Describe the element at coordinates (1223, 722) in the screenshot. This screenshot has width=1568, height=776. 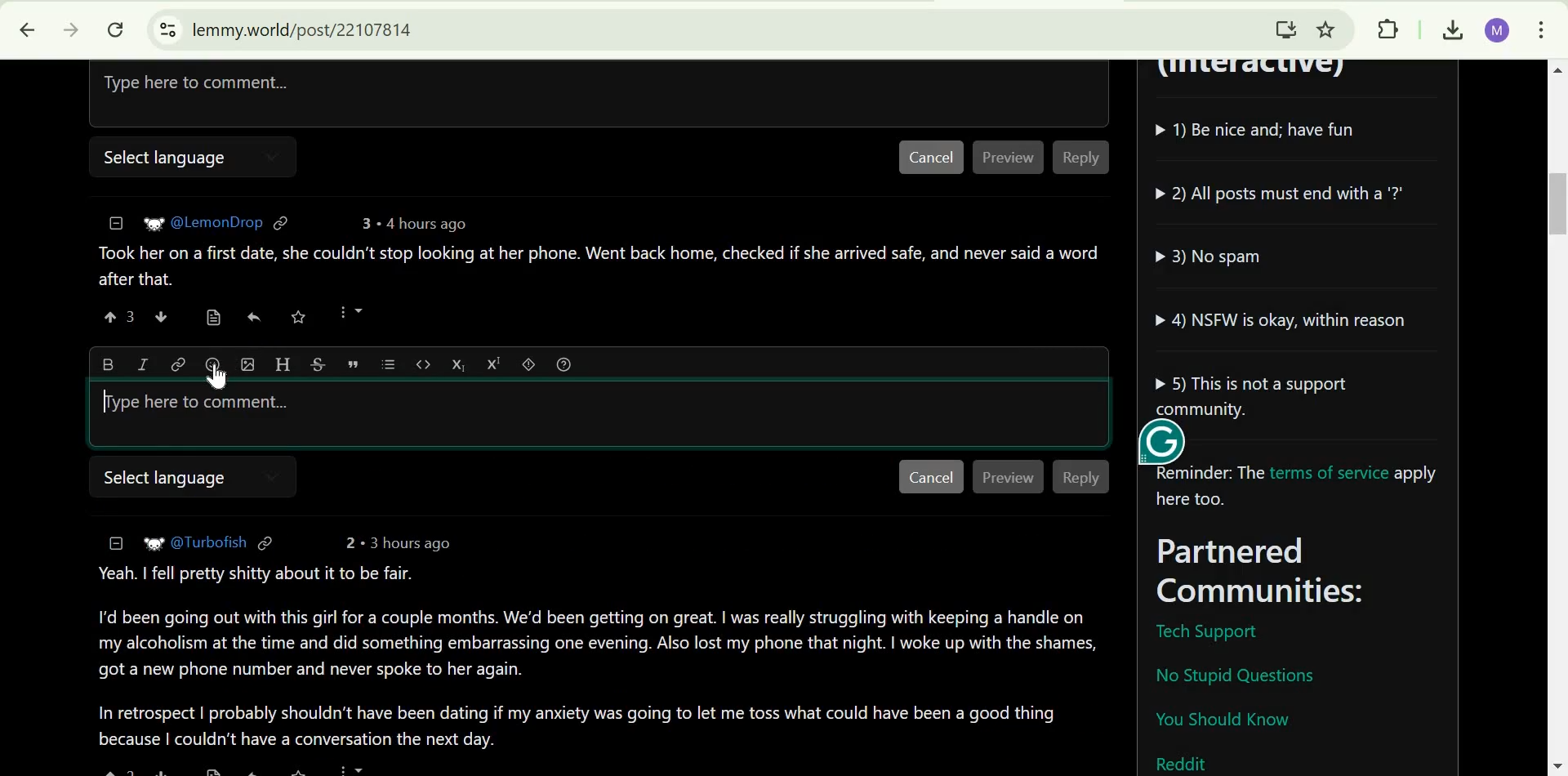
I see `You should know` at that location.